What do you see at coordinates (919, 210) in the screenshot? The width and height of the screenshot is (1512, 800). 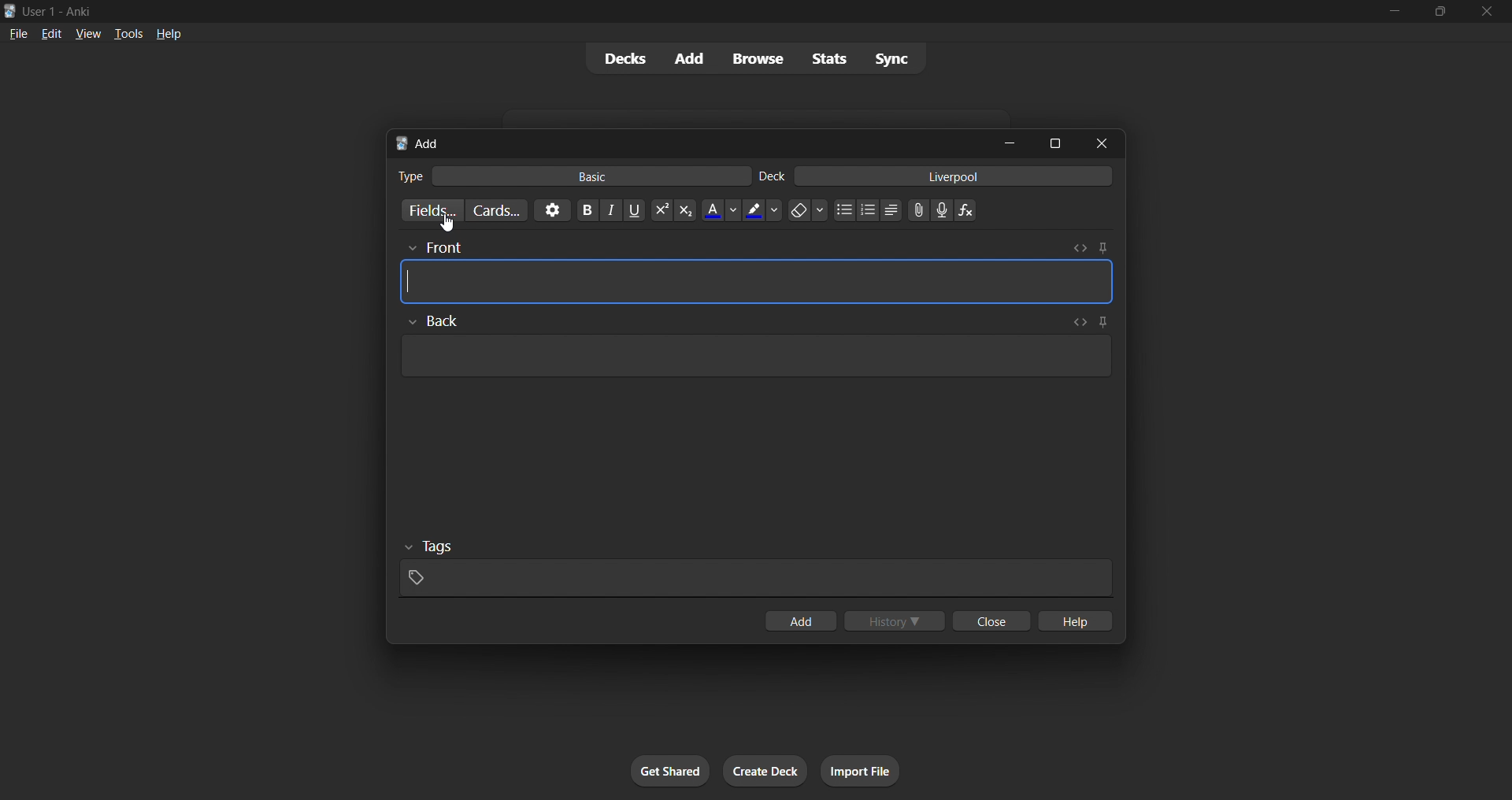 I see `Upload file` at bounding box center [919, 210].